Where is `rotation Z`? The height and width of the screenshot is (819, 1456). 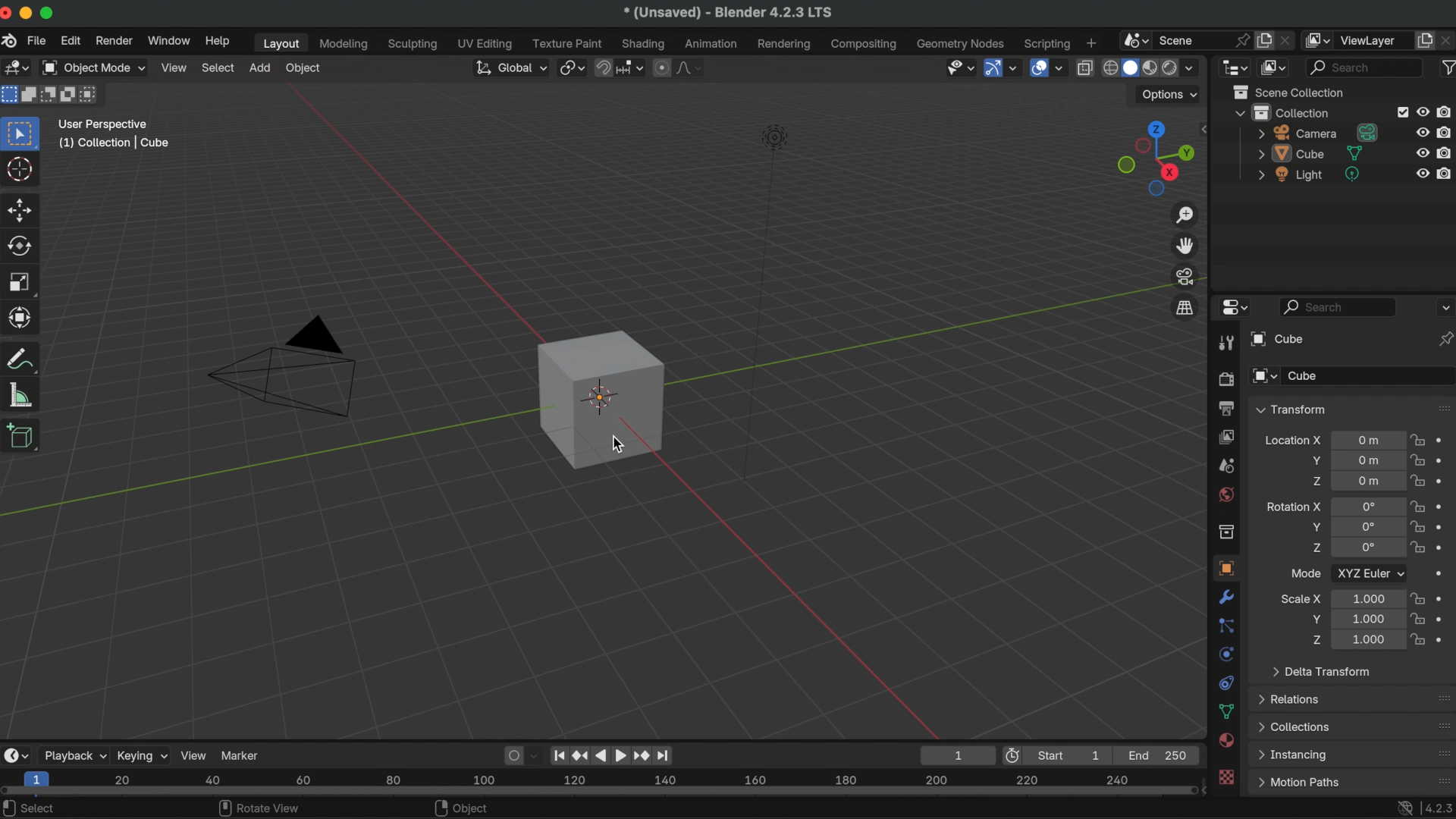
rotation Z is located at coordinates (1316, 550).